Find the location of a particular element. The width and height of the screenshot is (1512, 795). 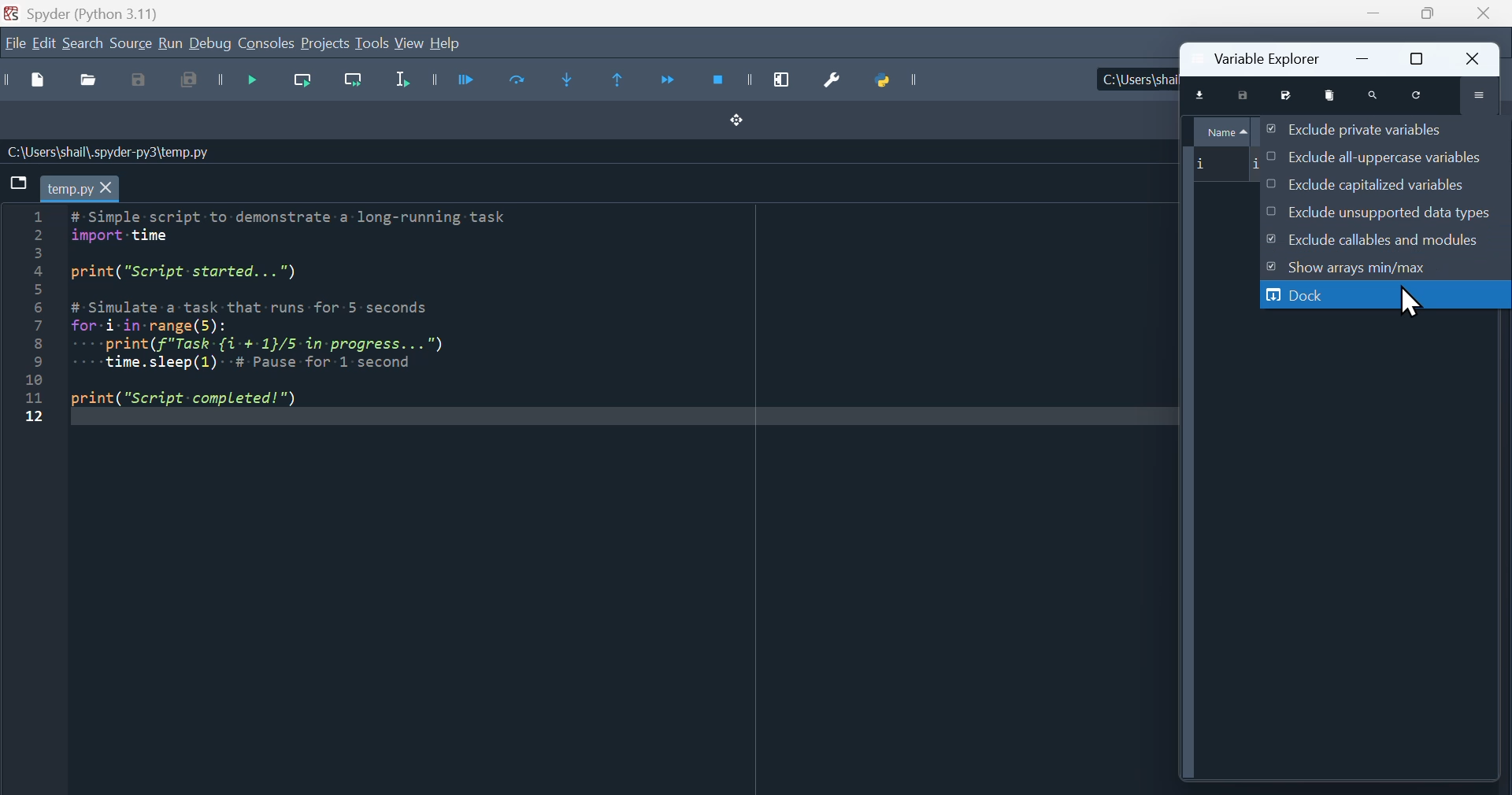

Continue execution until next function is located at coordinates (667, 83).